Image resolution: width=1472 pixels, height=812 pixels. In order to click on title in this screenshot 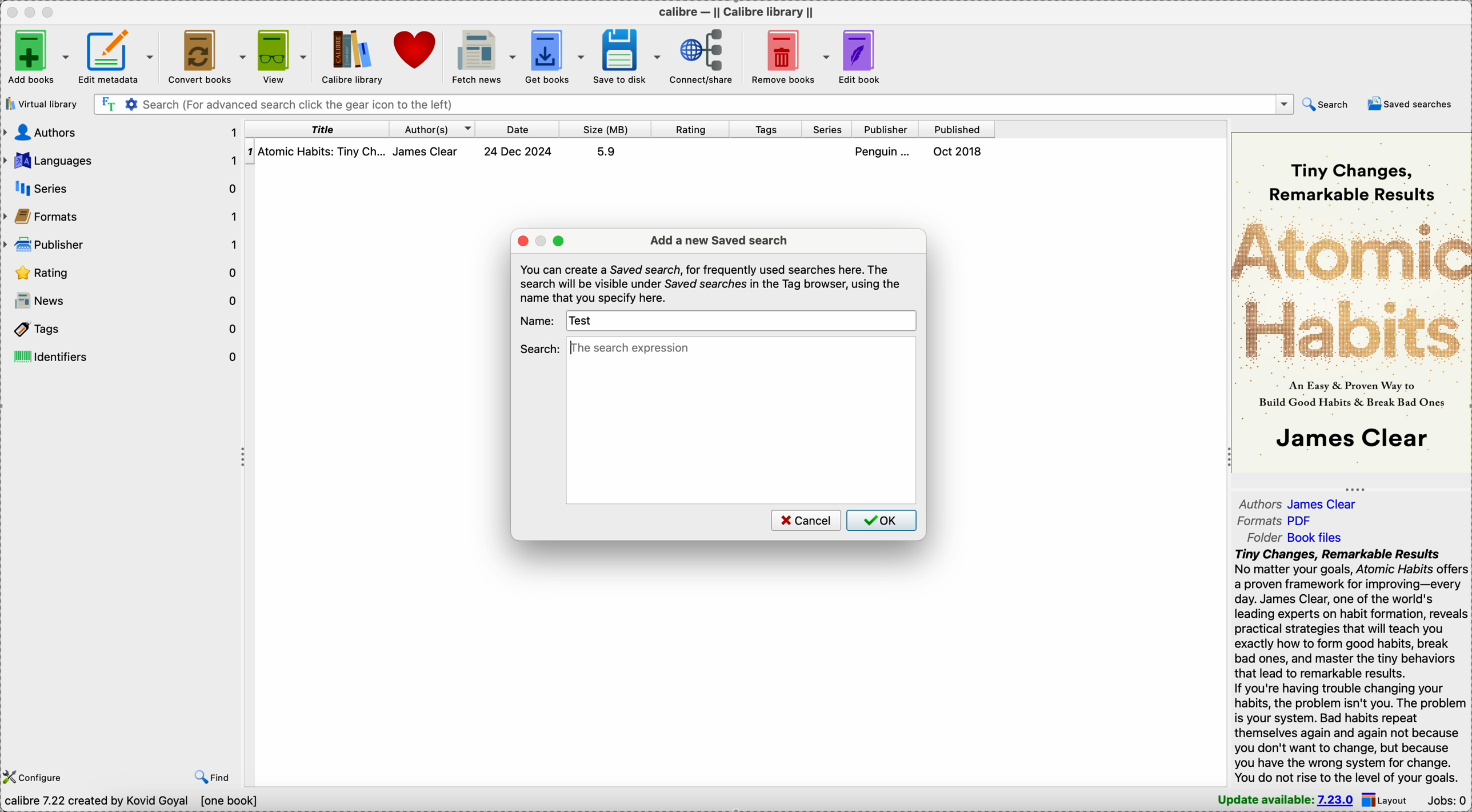, I will do `click(318, 129)`.